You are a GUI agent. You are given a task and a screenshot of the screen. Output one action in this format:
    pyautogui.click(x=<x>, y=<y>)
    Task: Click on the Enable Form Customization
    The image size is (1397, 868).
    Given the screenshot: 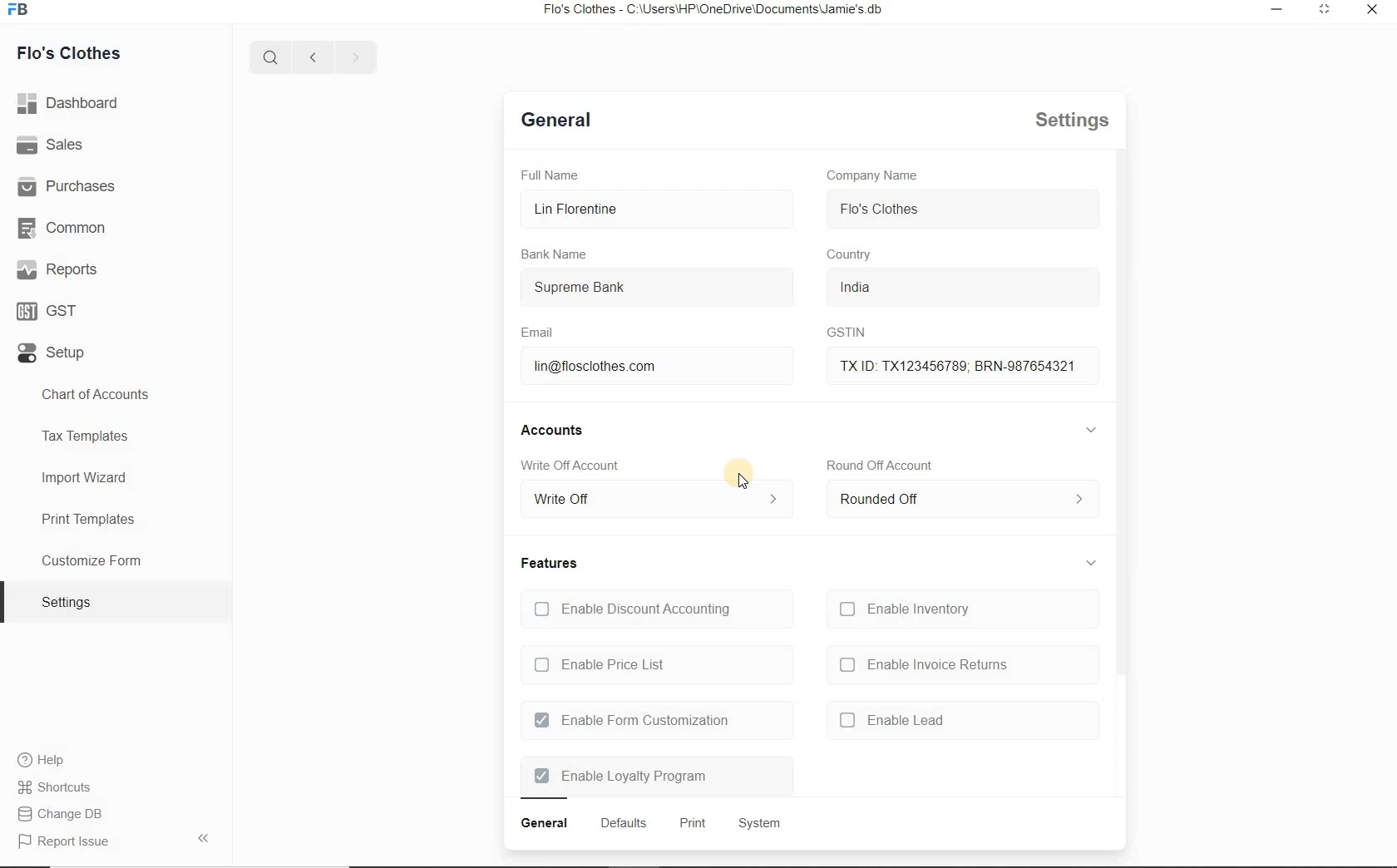 What is the action you would take?
    pyautogui.click(x=654, y=720)
    